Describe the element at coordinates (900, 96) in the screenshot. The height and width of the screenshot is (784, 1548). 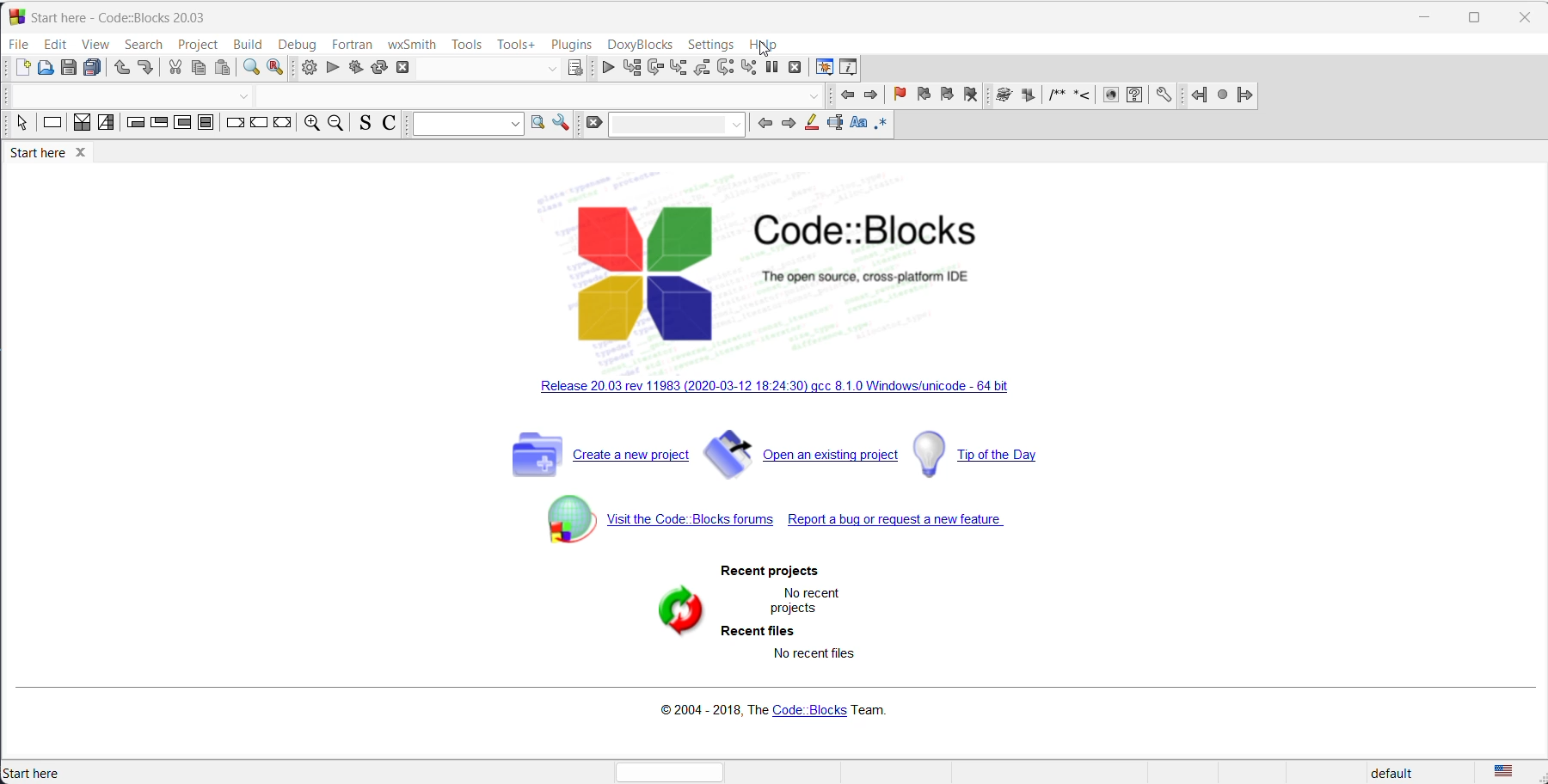
I see `add bookmark` at that location.